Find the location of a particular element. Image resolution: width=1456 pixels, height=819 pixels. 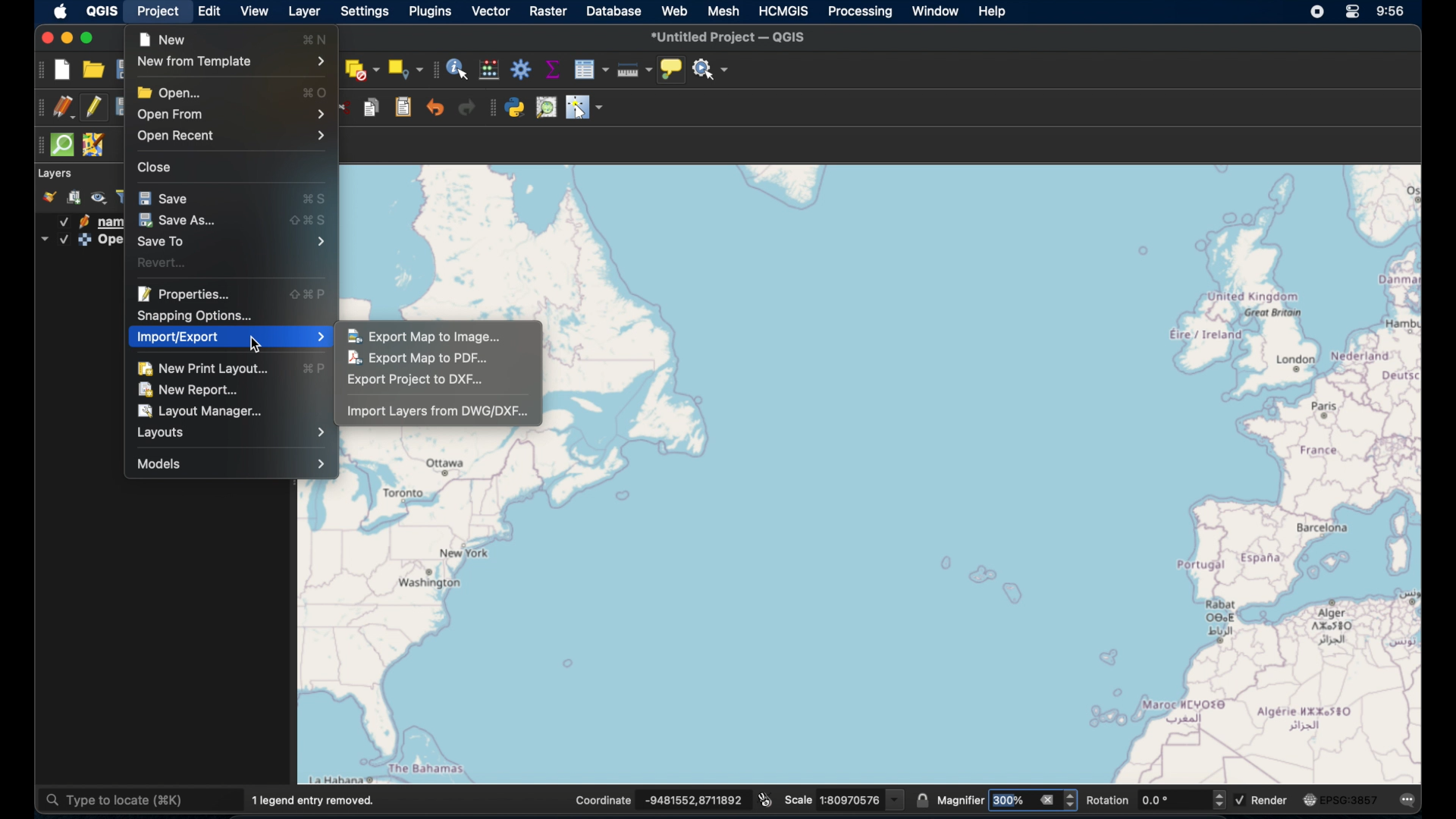

current edits is located at coordinates (64, 108).